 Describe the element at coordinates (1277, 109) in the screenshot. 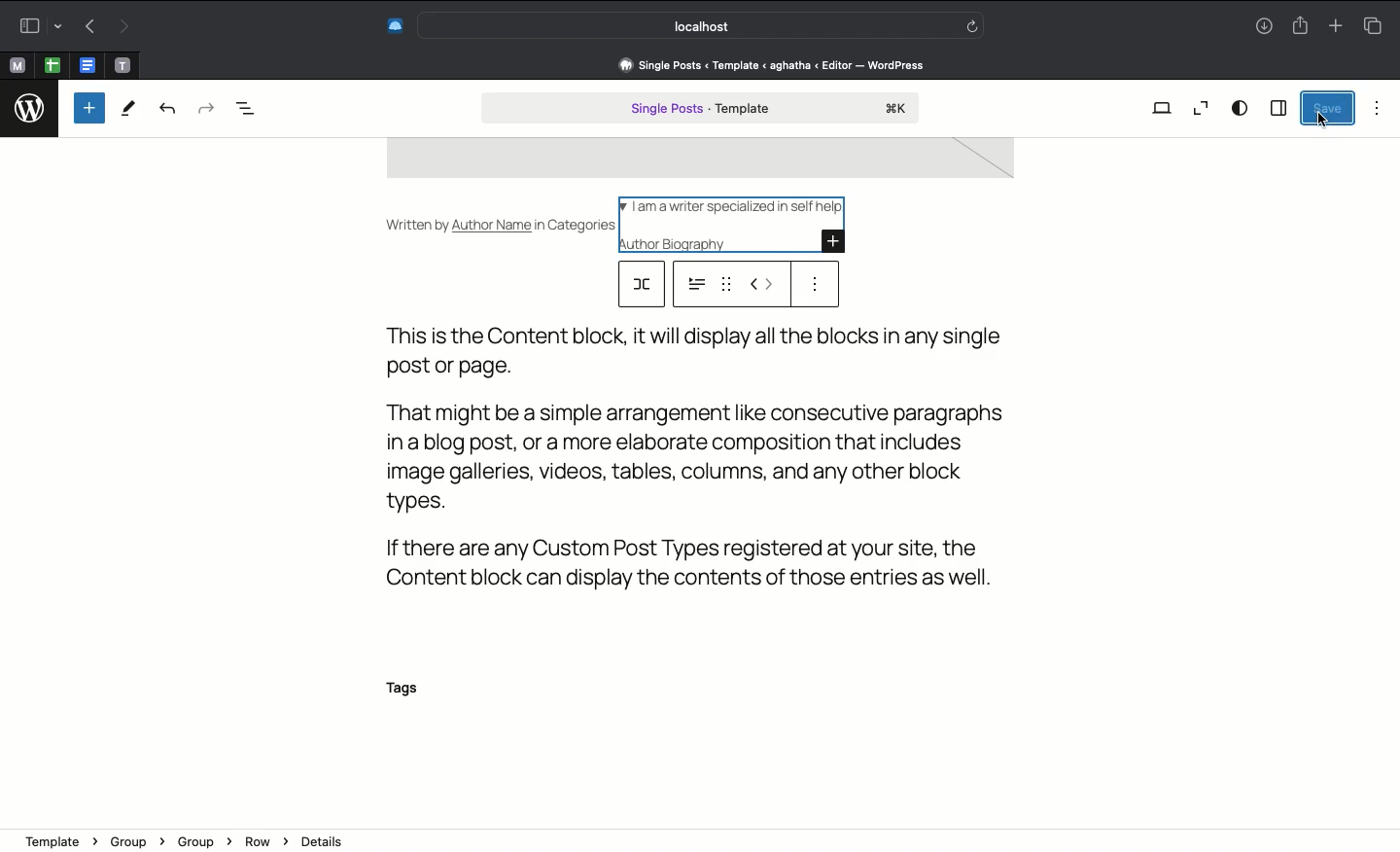

I see `Sidebar` at that location.